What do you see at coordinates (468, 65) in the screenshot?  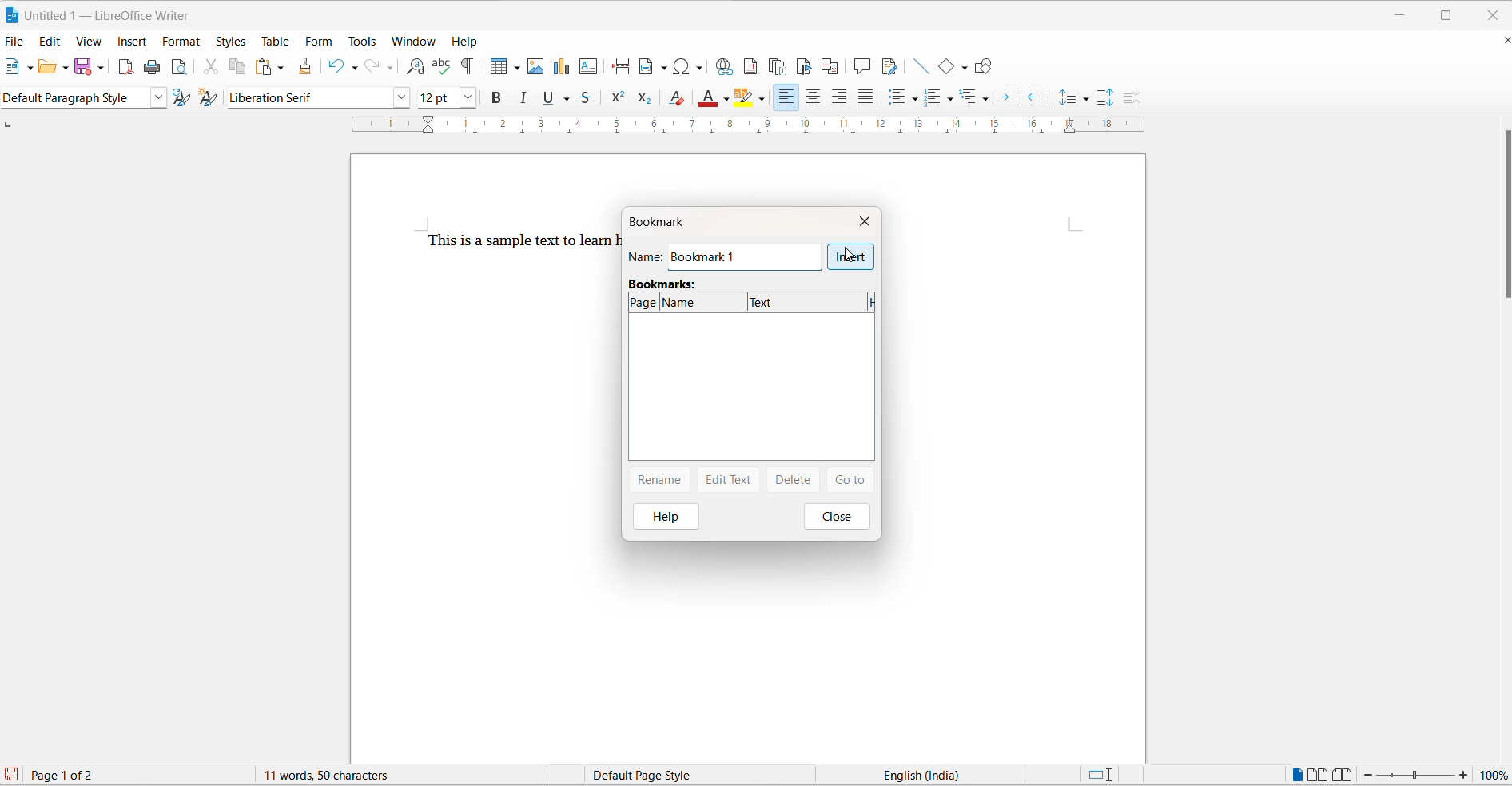 I see `toggle formatting marks` at bounding box center [468, 65].